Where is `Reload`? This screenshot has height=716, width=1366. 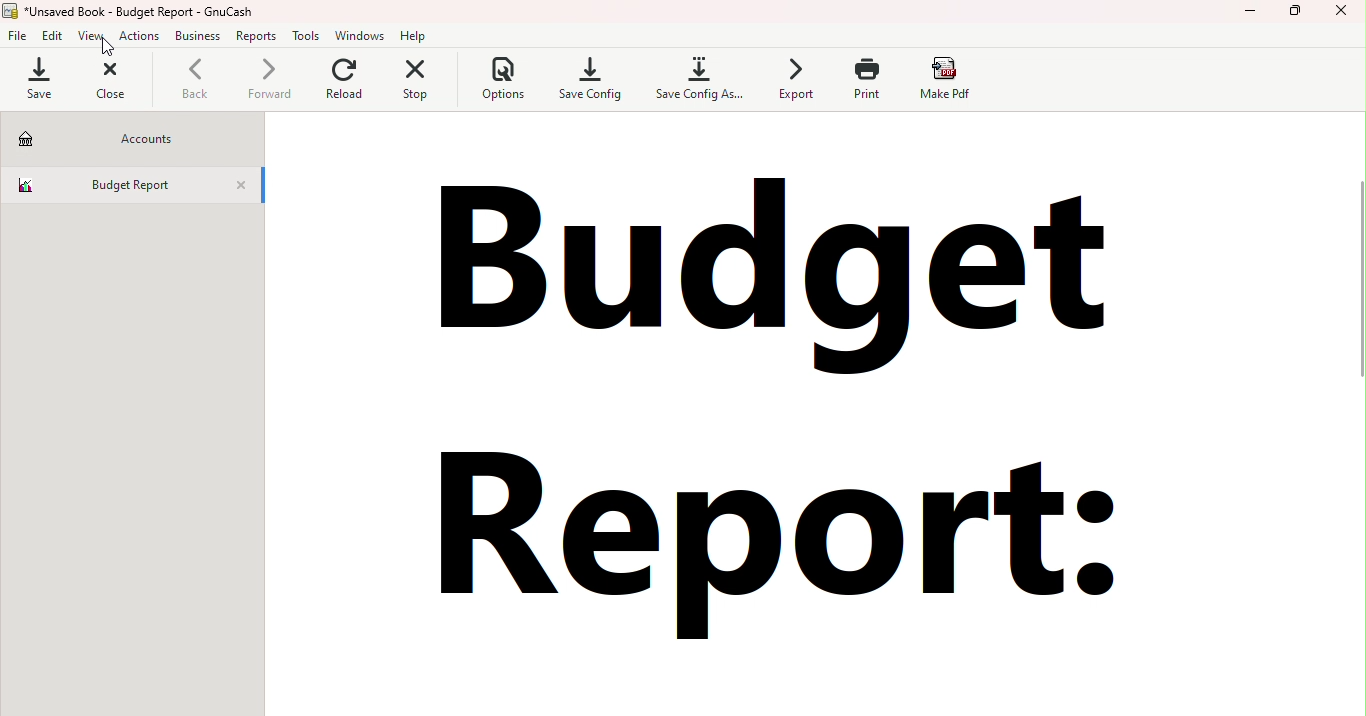 Reload is located at coordinates (352, 87).